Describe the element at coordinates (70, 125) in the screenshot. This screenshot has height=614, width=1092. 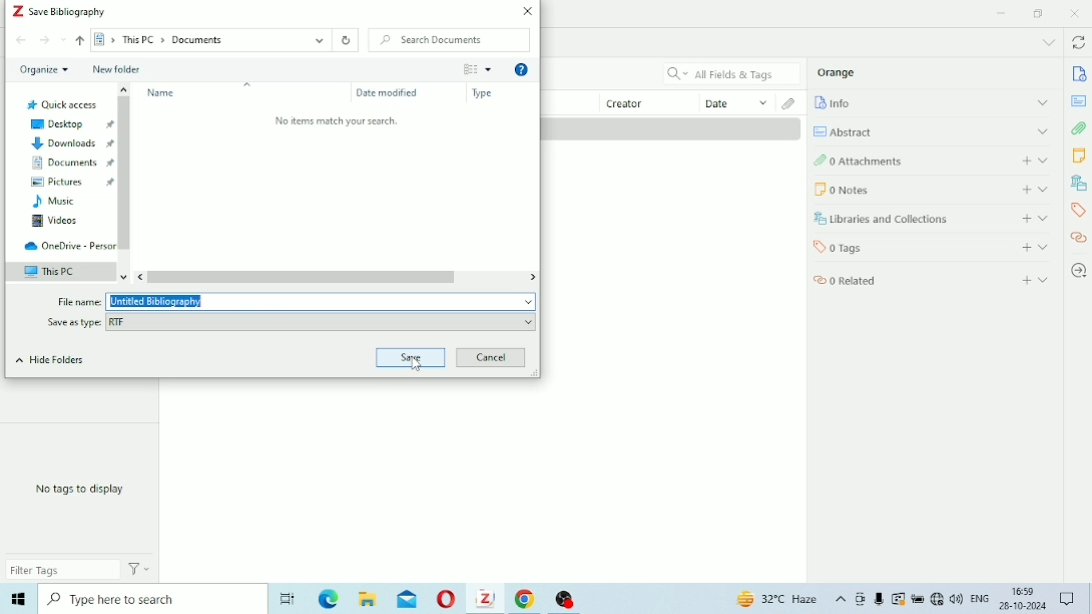
I see `Desktop` at that location.